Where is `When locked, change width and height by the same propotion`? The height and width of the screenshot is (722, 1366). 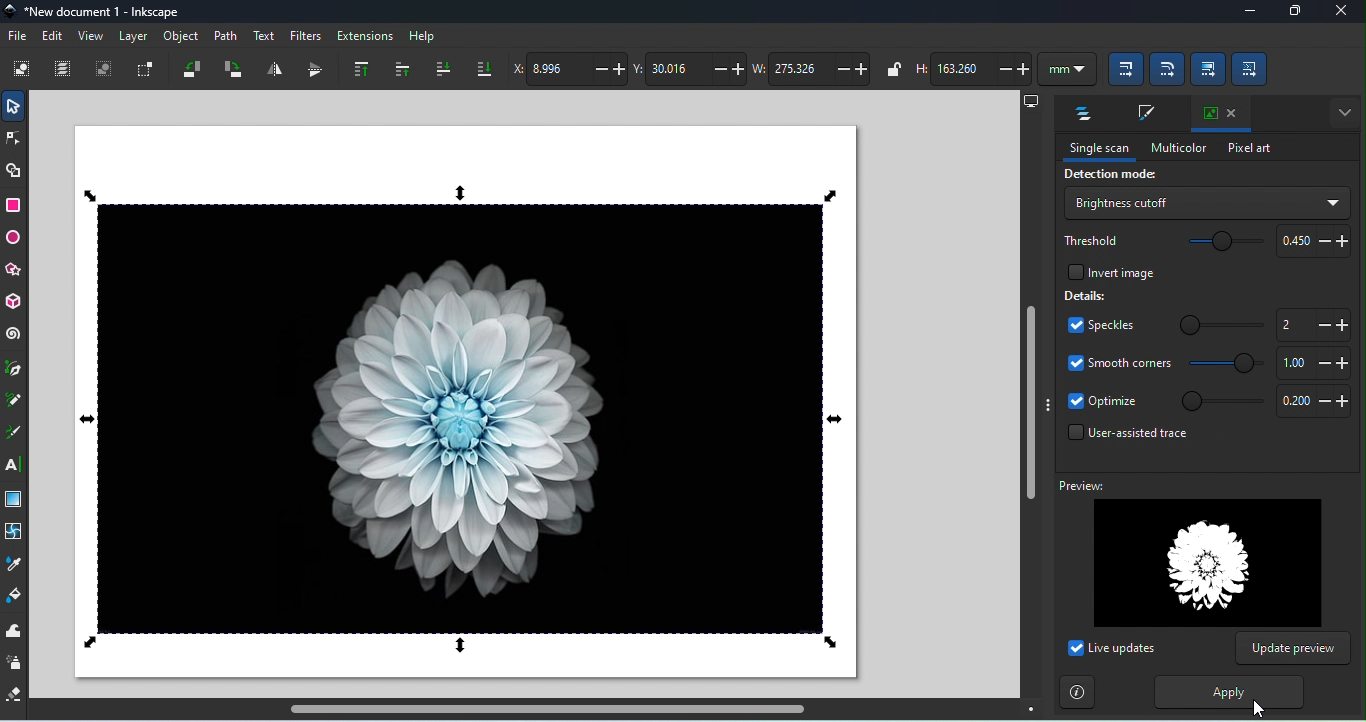 When locked, change width and height by the same propotion is located at coordinates (891, 69).